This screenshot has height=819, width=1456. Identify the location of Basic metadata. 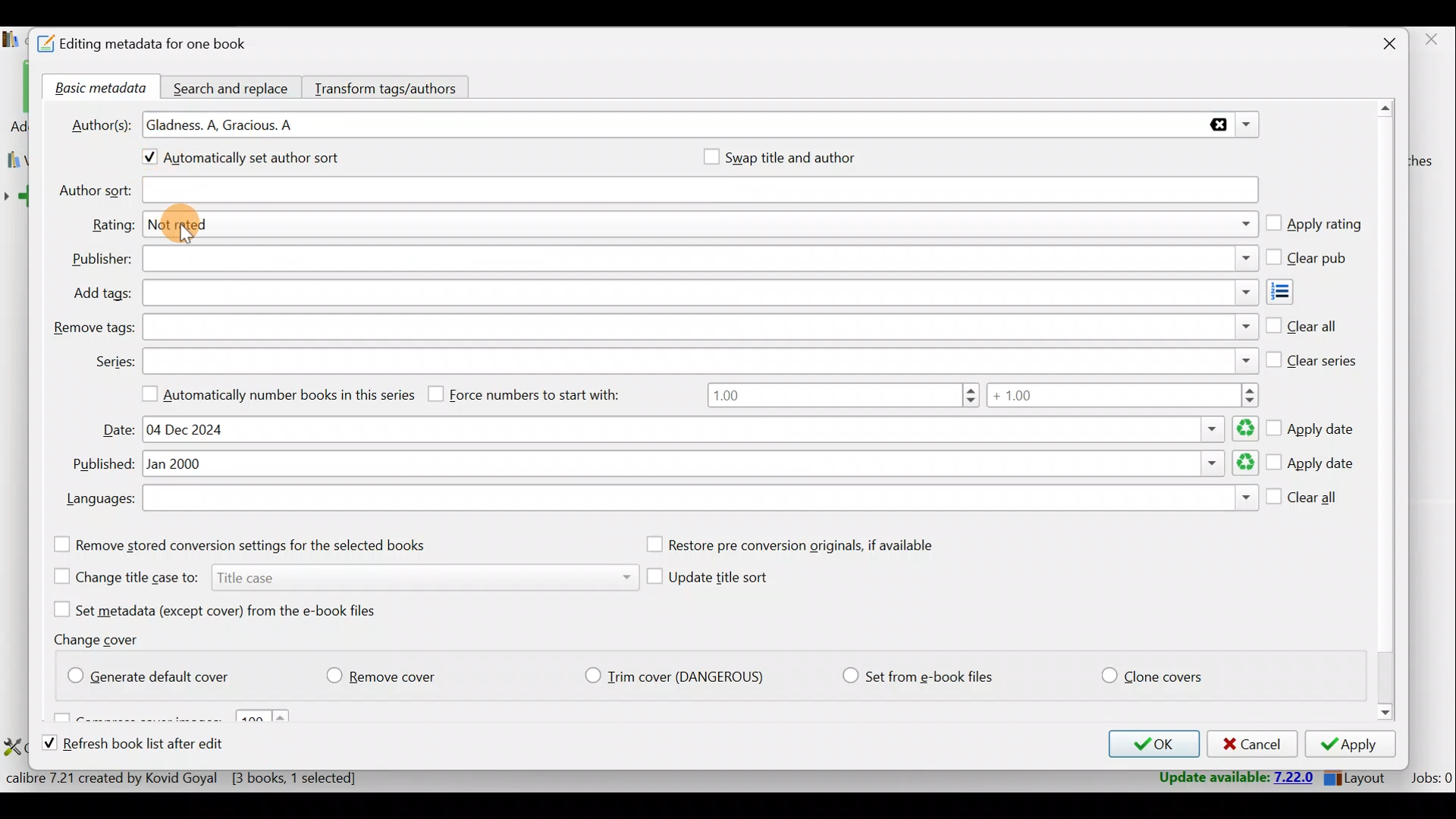
(96, 89).